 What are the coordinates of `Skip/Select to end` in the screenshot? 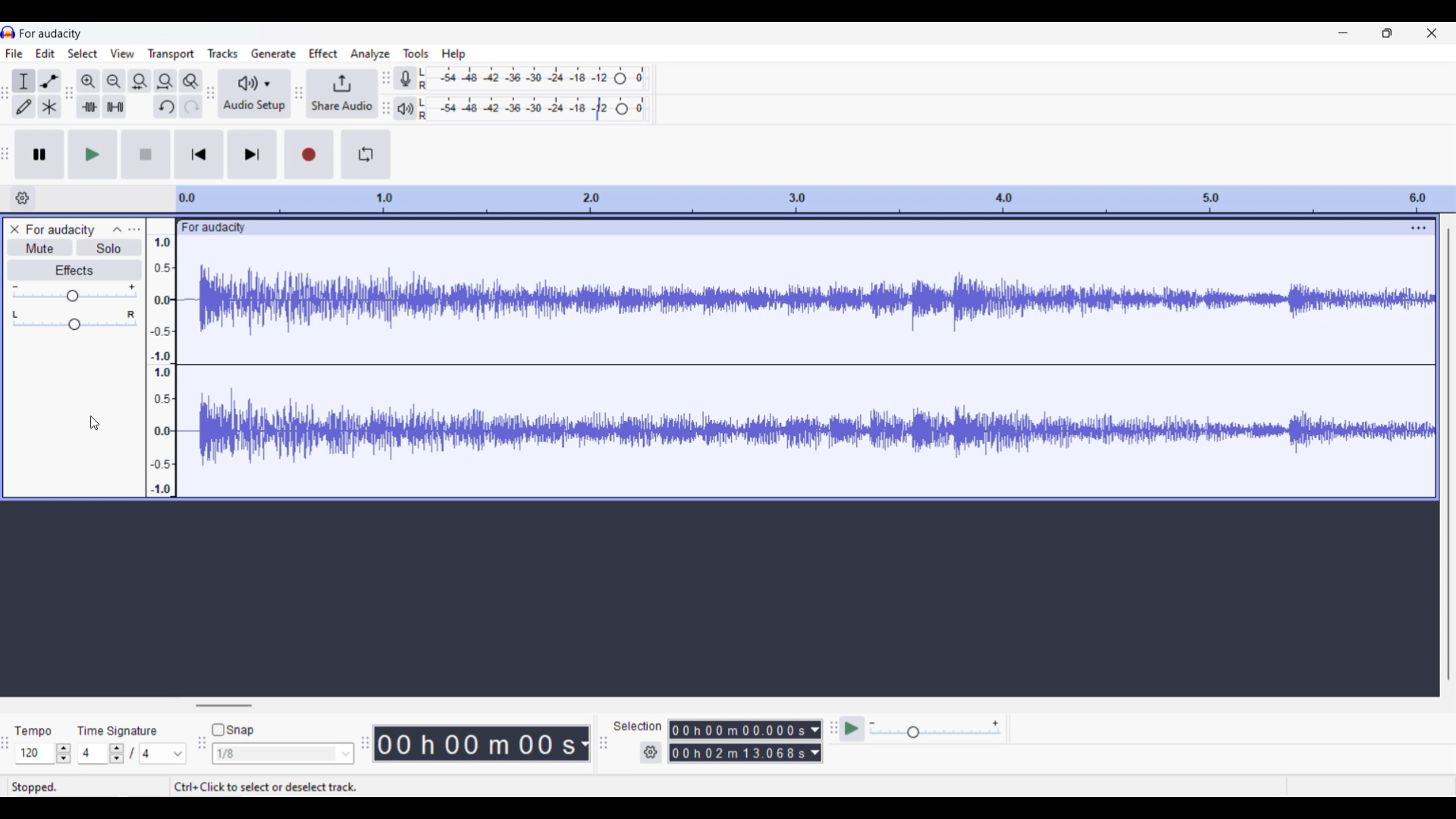 It's located at (254, 156).